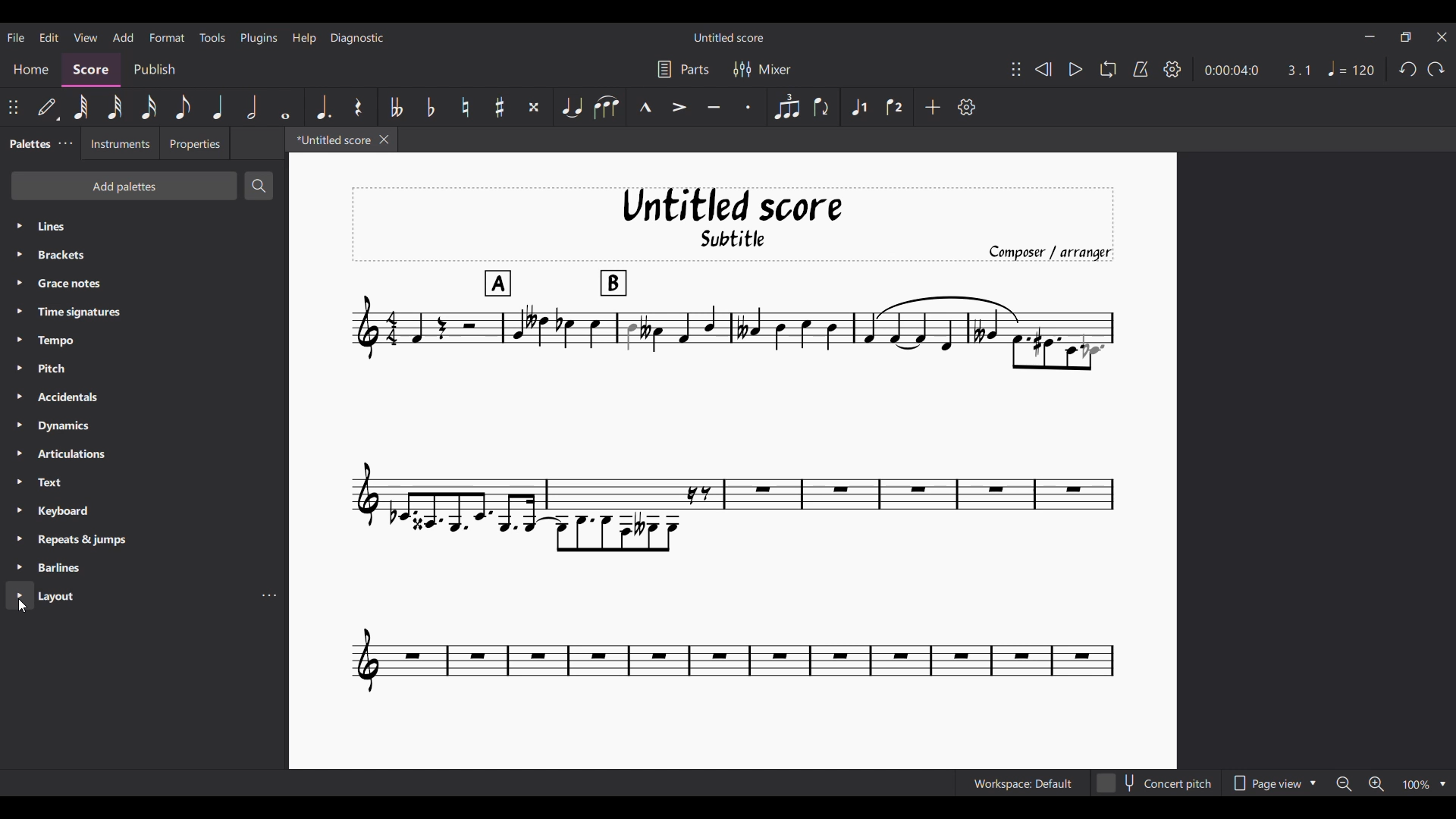 The image size is (1456, 819). I want to click on Toggle sharp, so click(499, 107).